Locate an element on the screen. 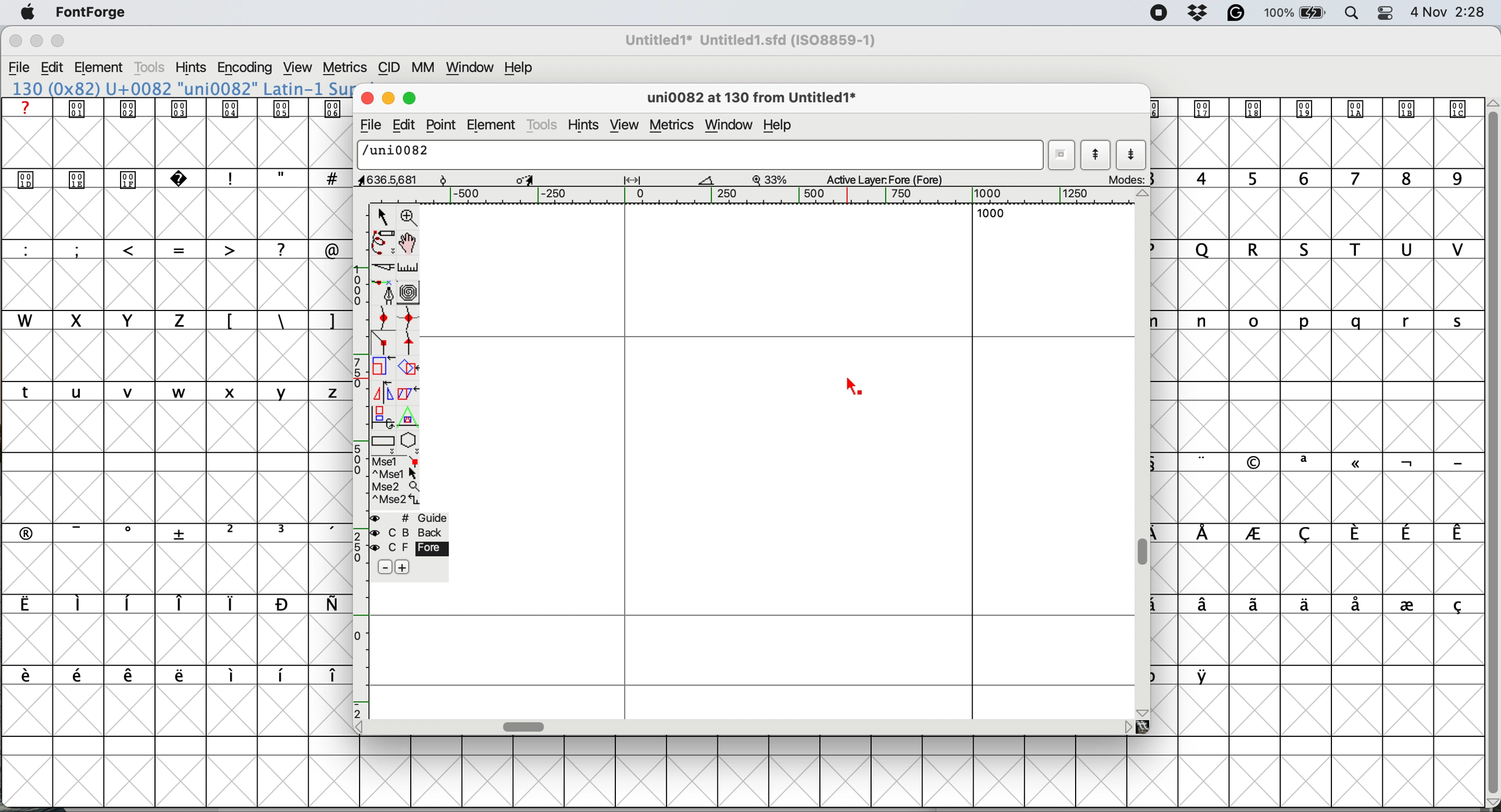  special characters is located at coordinates (177, 249).